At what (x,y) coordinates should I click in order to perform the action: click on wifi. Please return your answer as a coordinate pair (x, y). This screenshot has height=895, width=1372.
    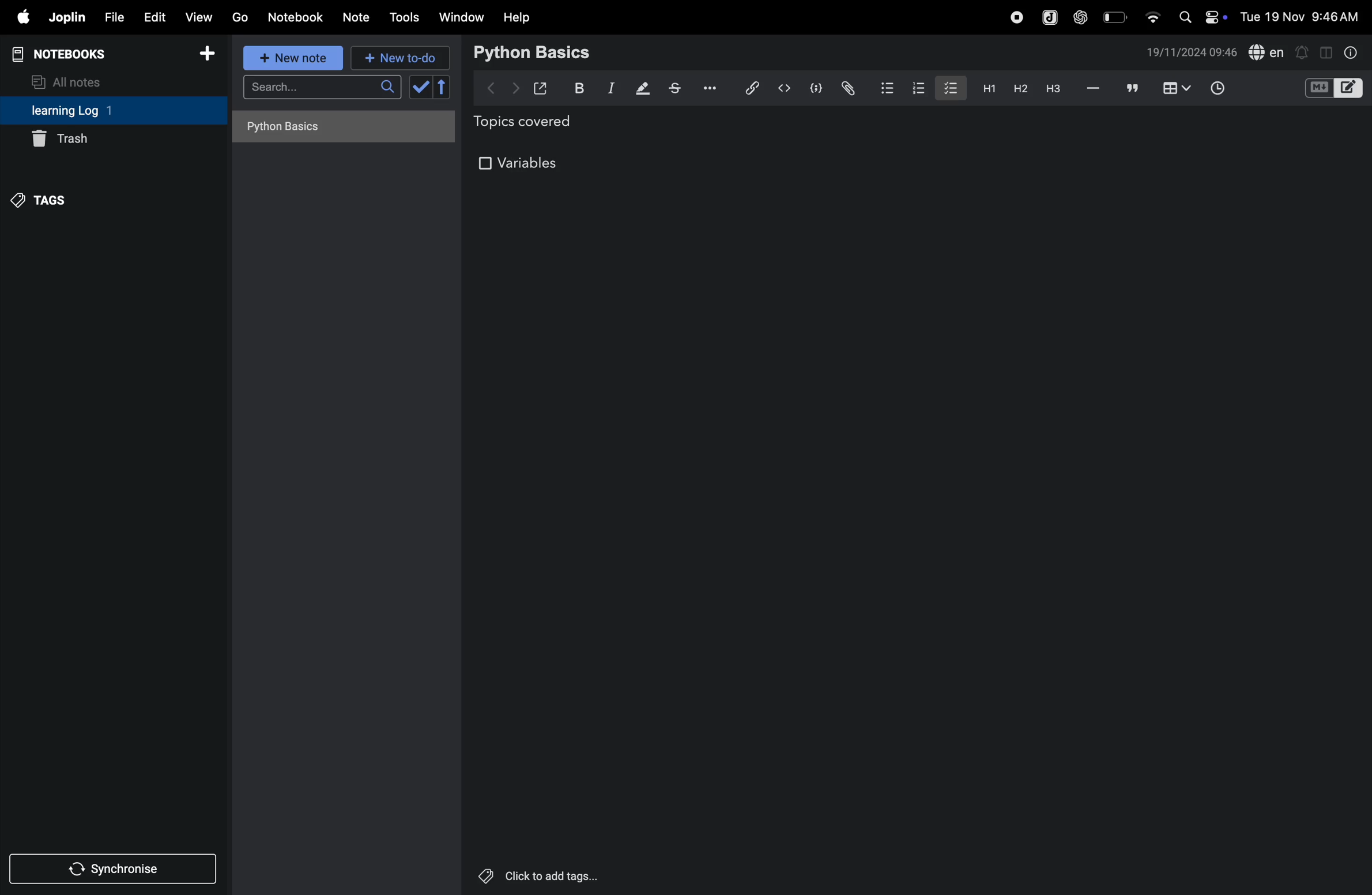
    Looking at the image, I should click on (1152, 13).